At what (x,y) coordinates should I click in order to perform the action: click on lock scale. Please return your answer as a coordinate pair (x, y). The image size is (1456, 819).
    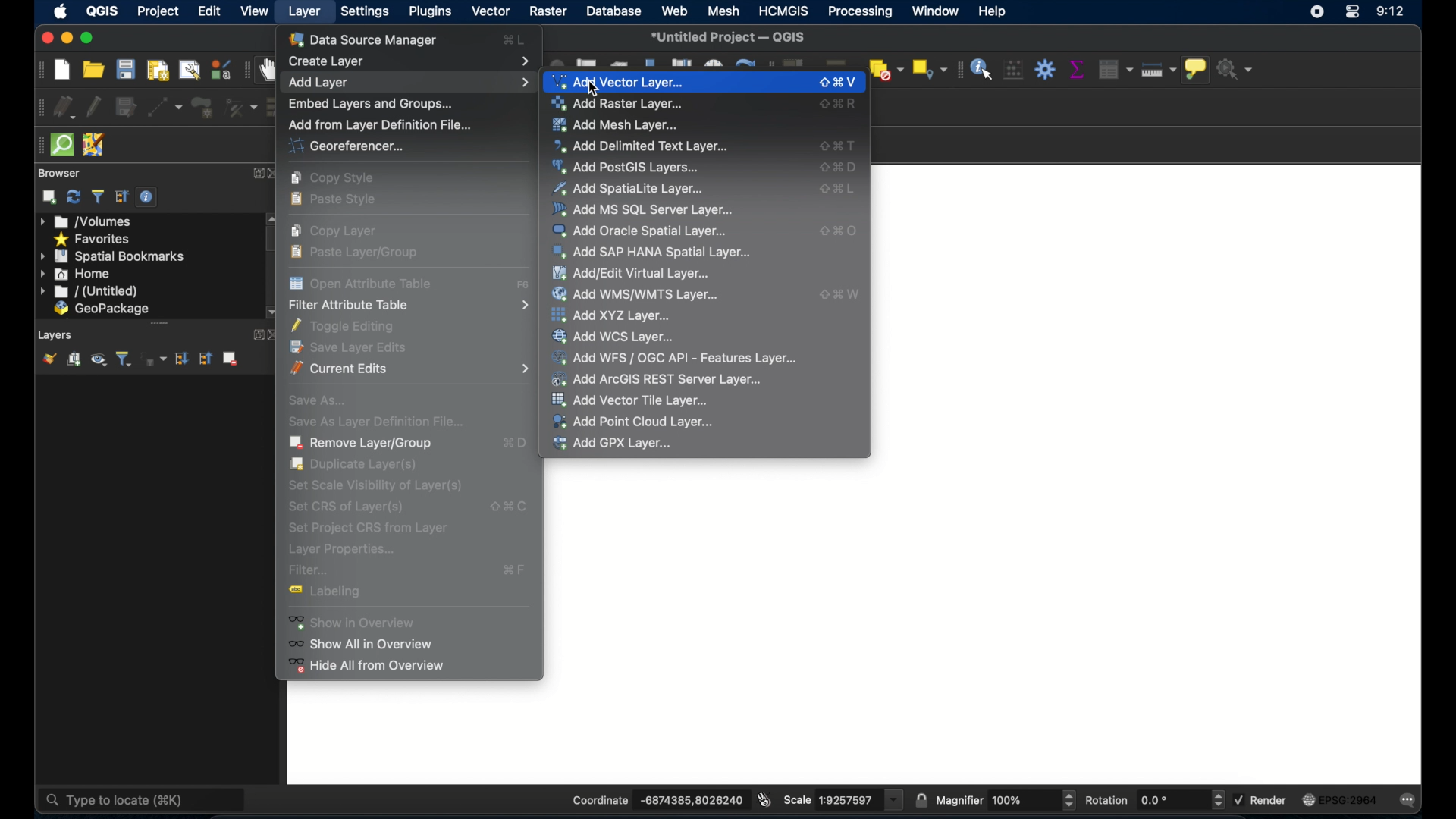
    Looking at the image, I should click on (918, 799).